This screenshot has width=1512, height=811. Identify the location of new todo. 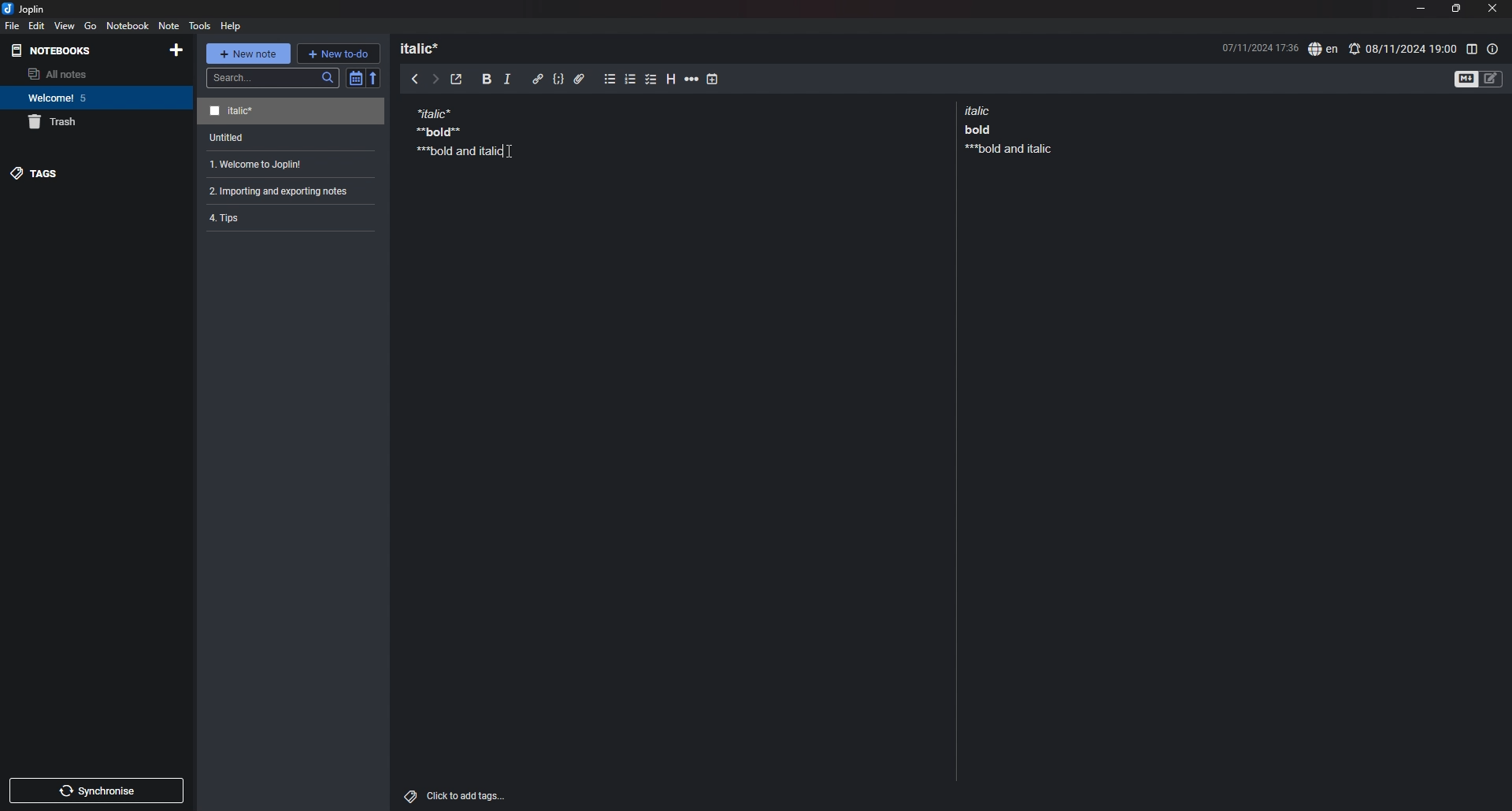
(338, 53).